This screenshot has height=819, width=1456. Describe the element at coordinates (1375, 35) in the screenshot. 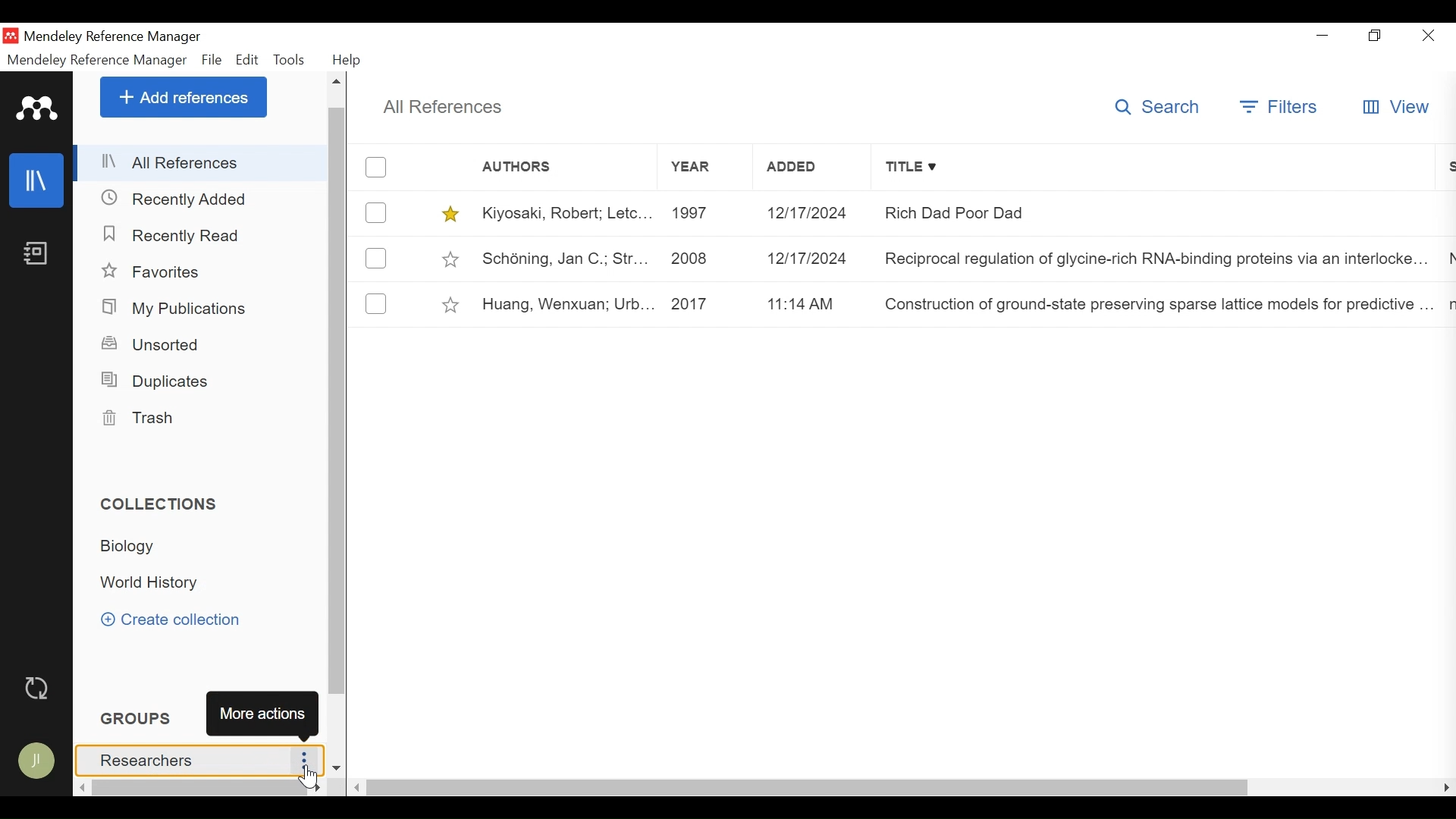

I see `Restore` at that location.